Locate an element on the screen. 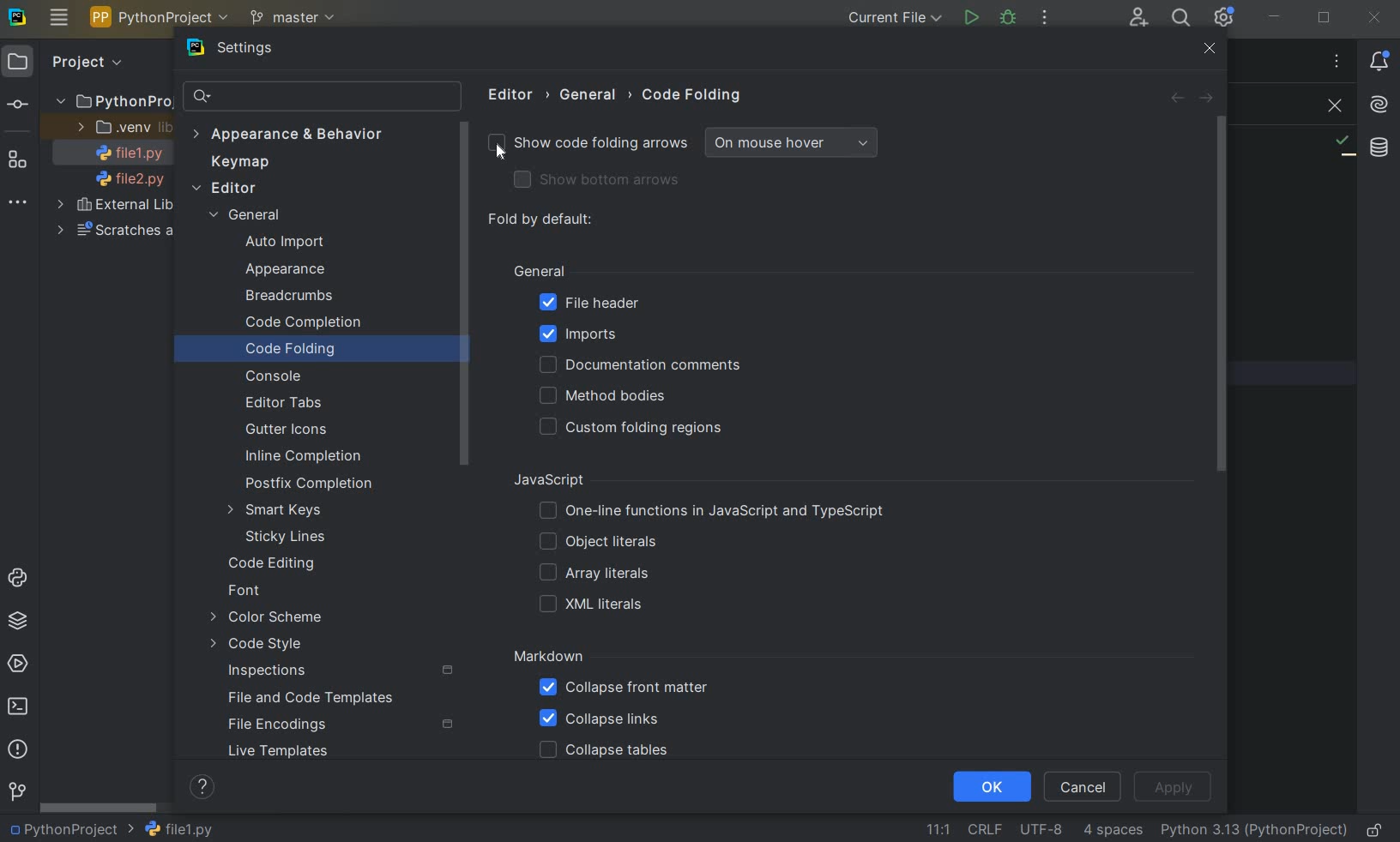  EDITOR TABS is located at coordinates (283, 400).